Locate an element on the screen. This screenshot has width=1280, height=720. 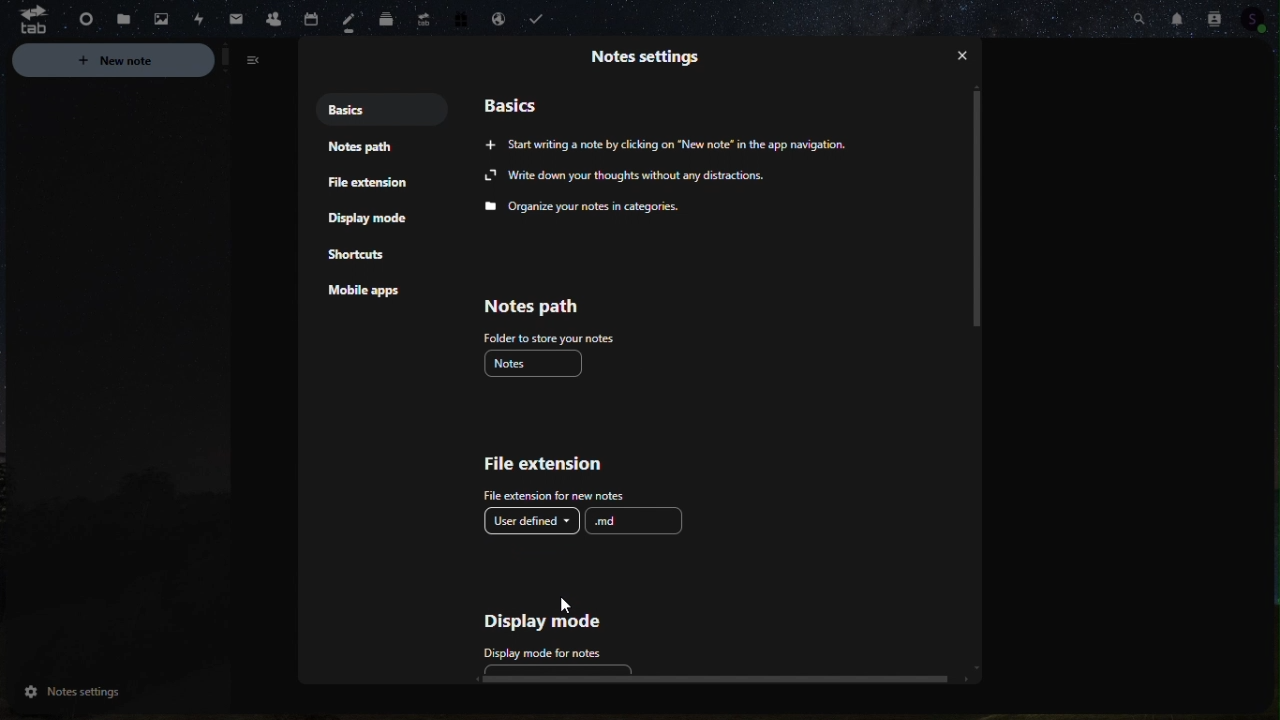
 is located at coordinates (655, 62).